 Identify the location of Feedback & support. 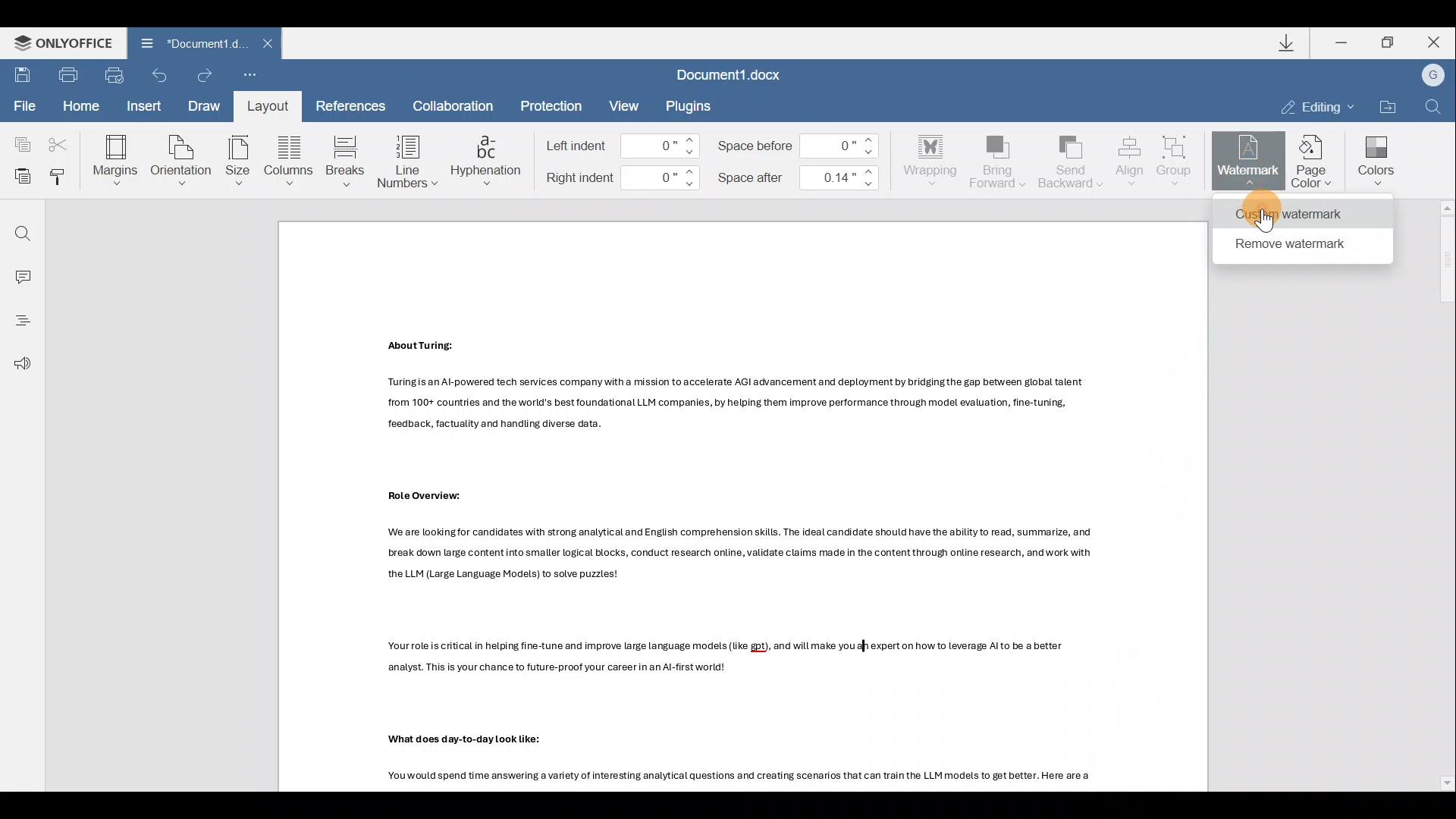
(21, 365).